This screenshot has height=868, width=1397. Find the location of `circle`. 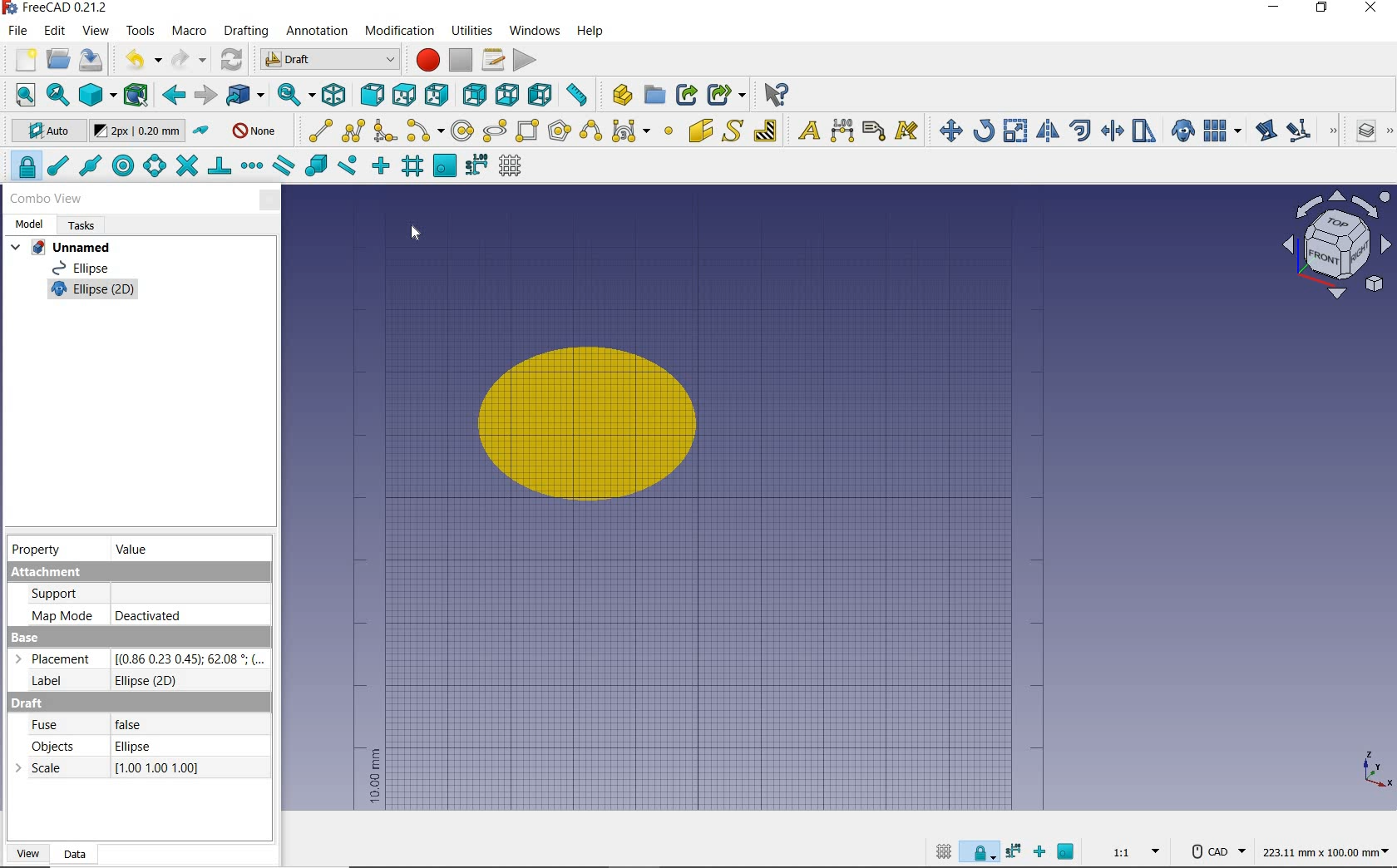

circle is located at coordinates (462, 132).